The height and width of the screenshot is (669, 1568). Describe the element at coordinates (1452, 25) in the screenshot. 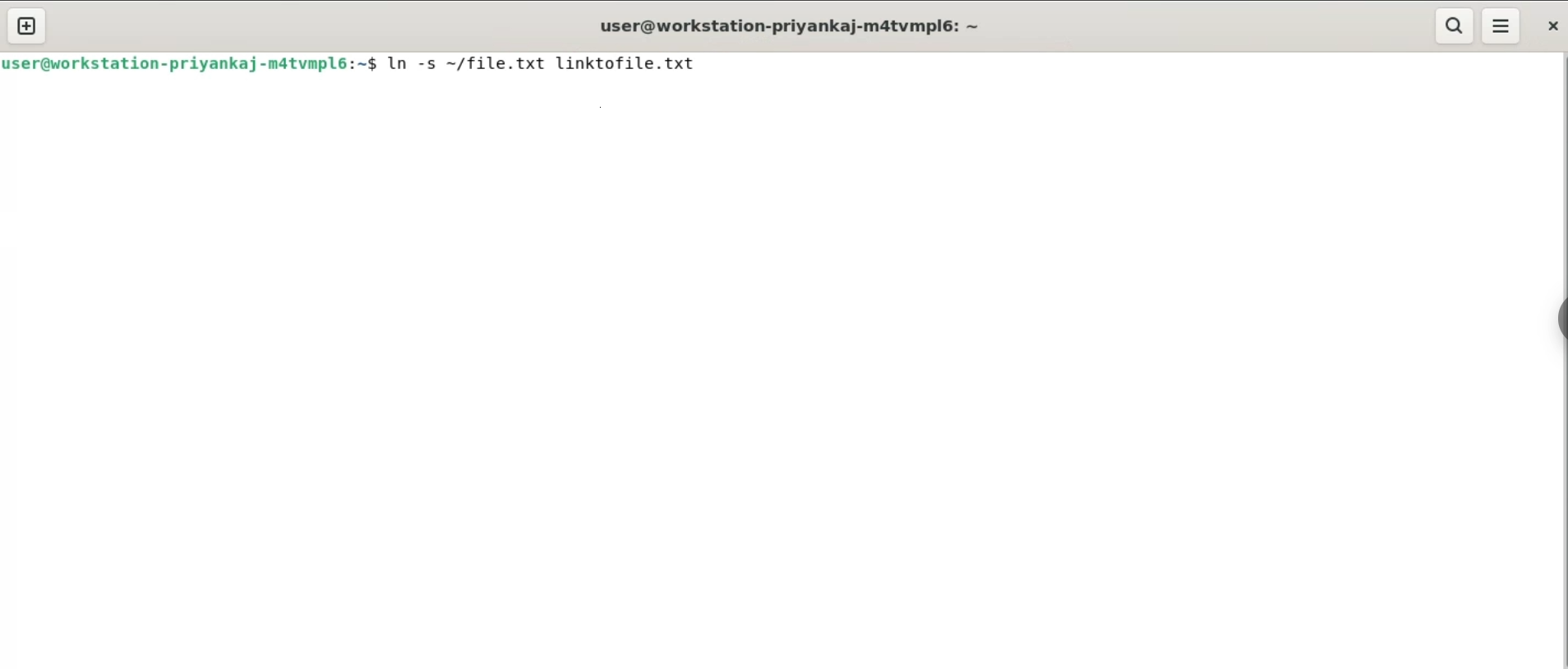

I see `search` at that location.